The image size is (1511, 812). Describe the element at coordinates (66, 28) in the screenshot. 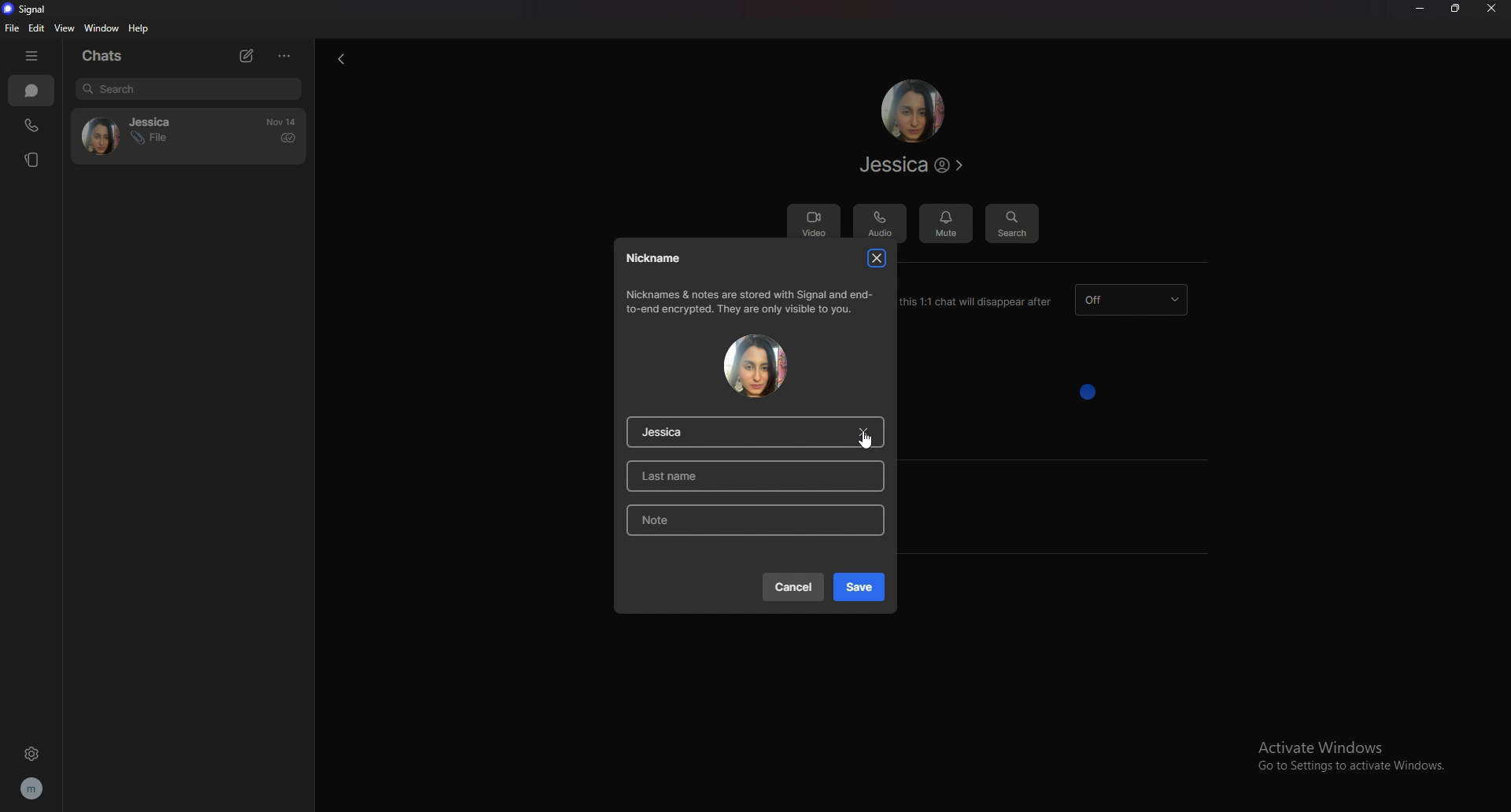

I see `view` at that location.